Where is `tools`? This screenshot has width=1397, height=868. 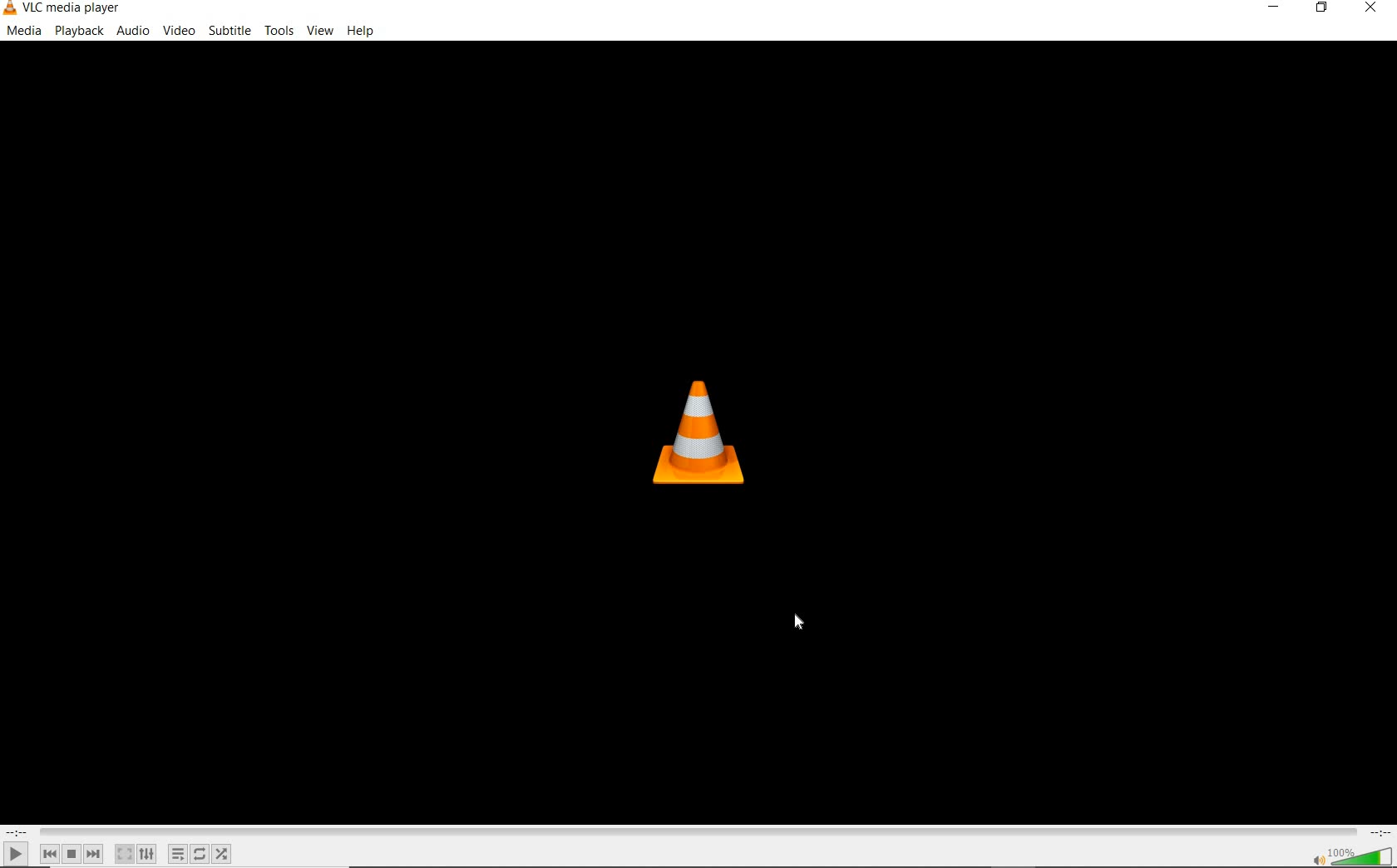 tools is located at coordinates (278, 28).